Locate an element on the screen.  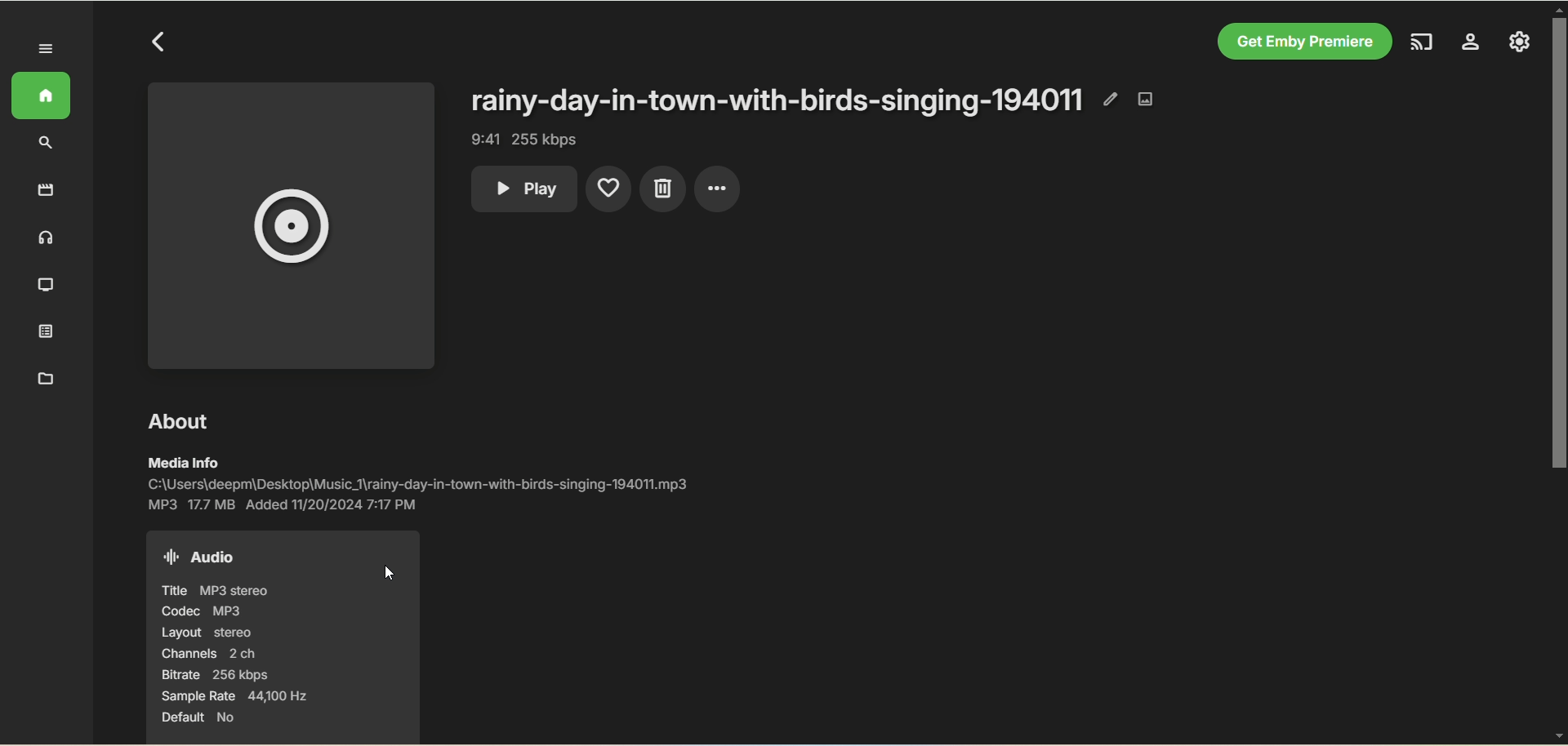
audio is located at coordinates (198, 557).